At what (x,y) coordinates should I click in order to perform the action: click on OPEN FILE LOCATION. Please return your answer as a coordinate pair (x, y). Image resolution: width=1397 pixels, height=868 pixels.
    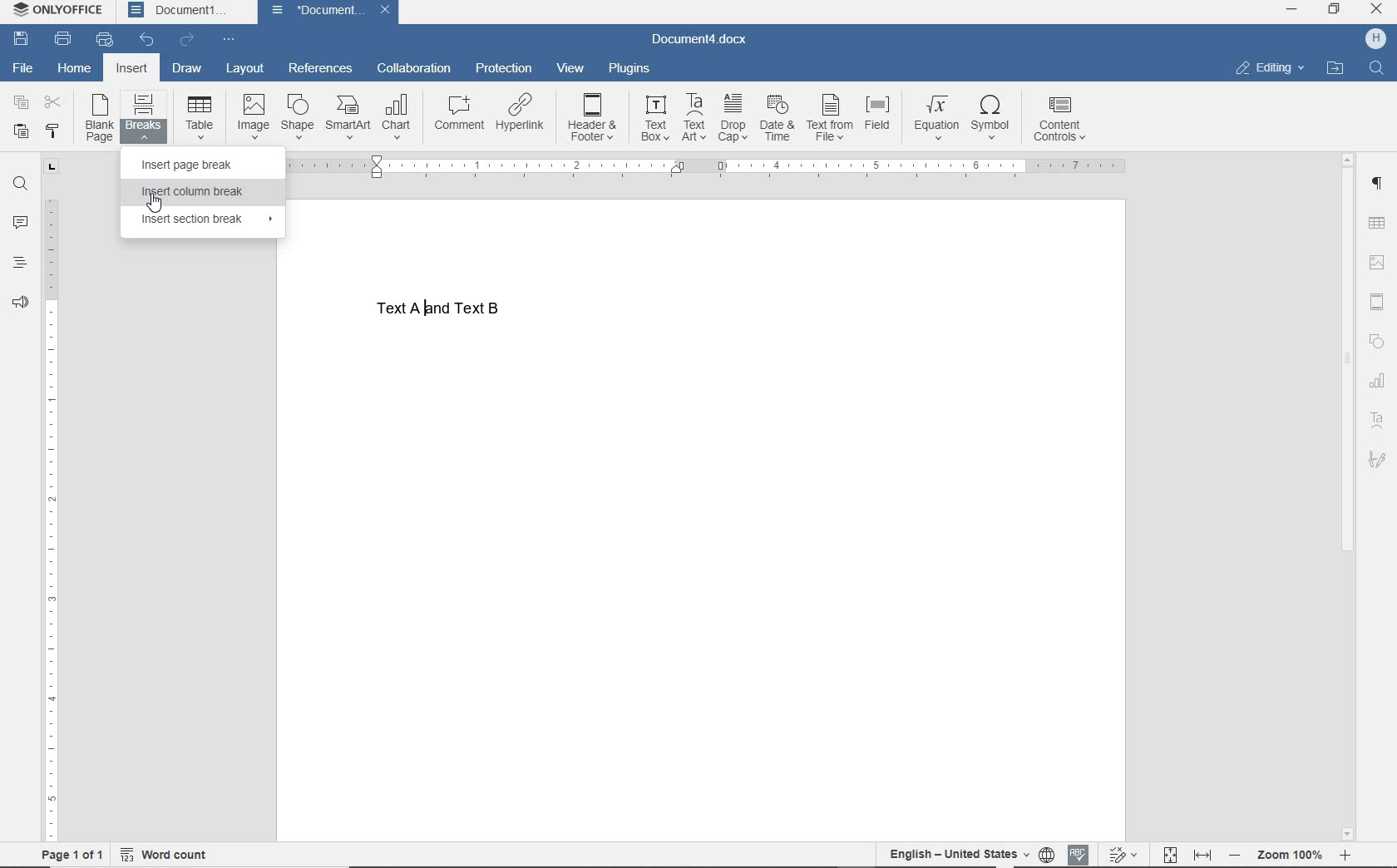
    Looking at the image, I should click on (1336, 68).